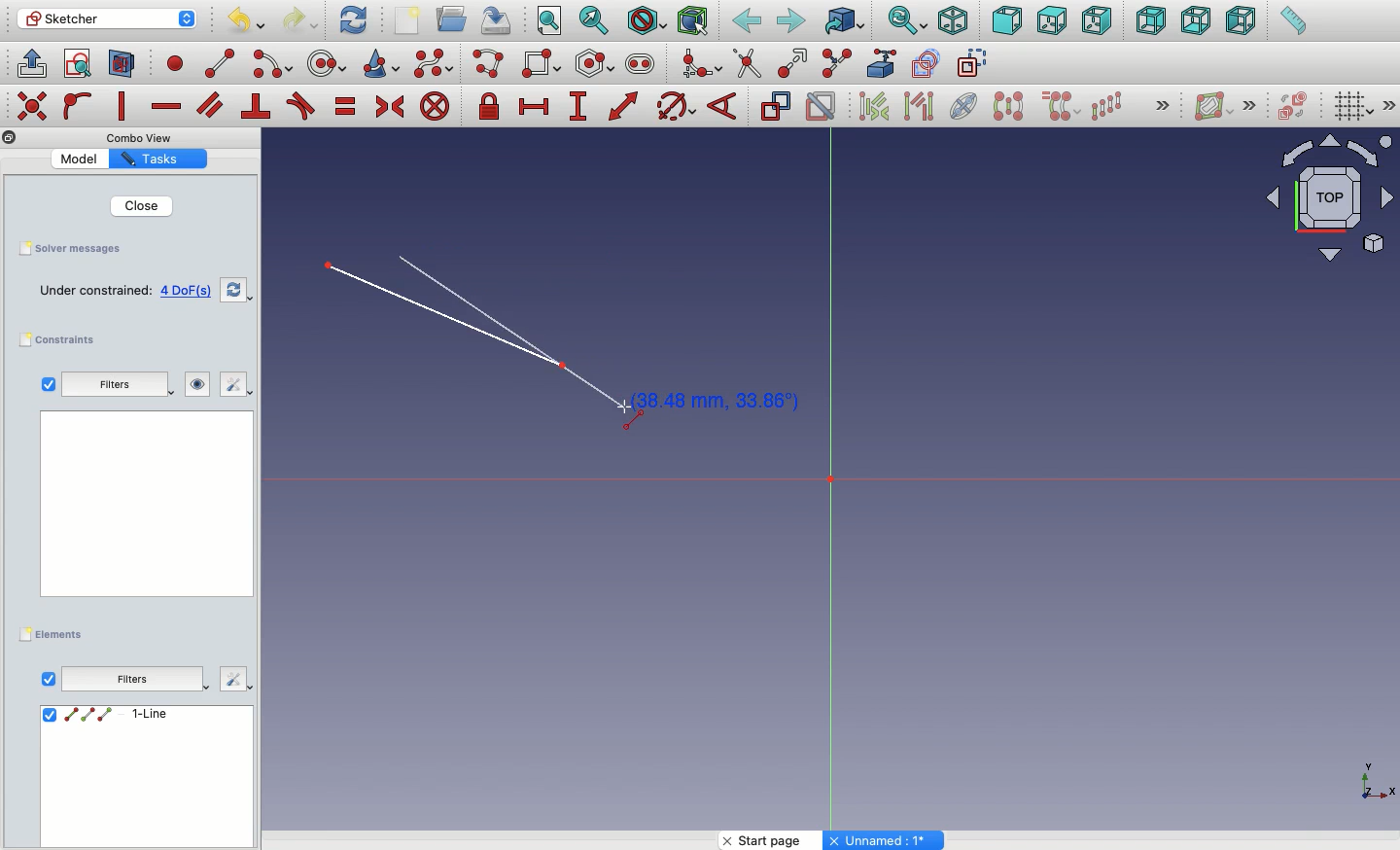 Image resolution: width=1400 pixels, height=850 pixels. What do you see at coordinates (210, 105) in the screenshot?
I see `Constrain parallel` at bounding box center [210, 105].